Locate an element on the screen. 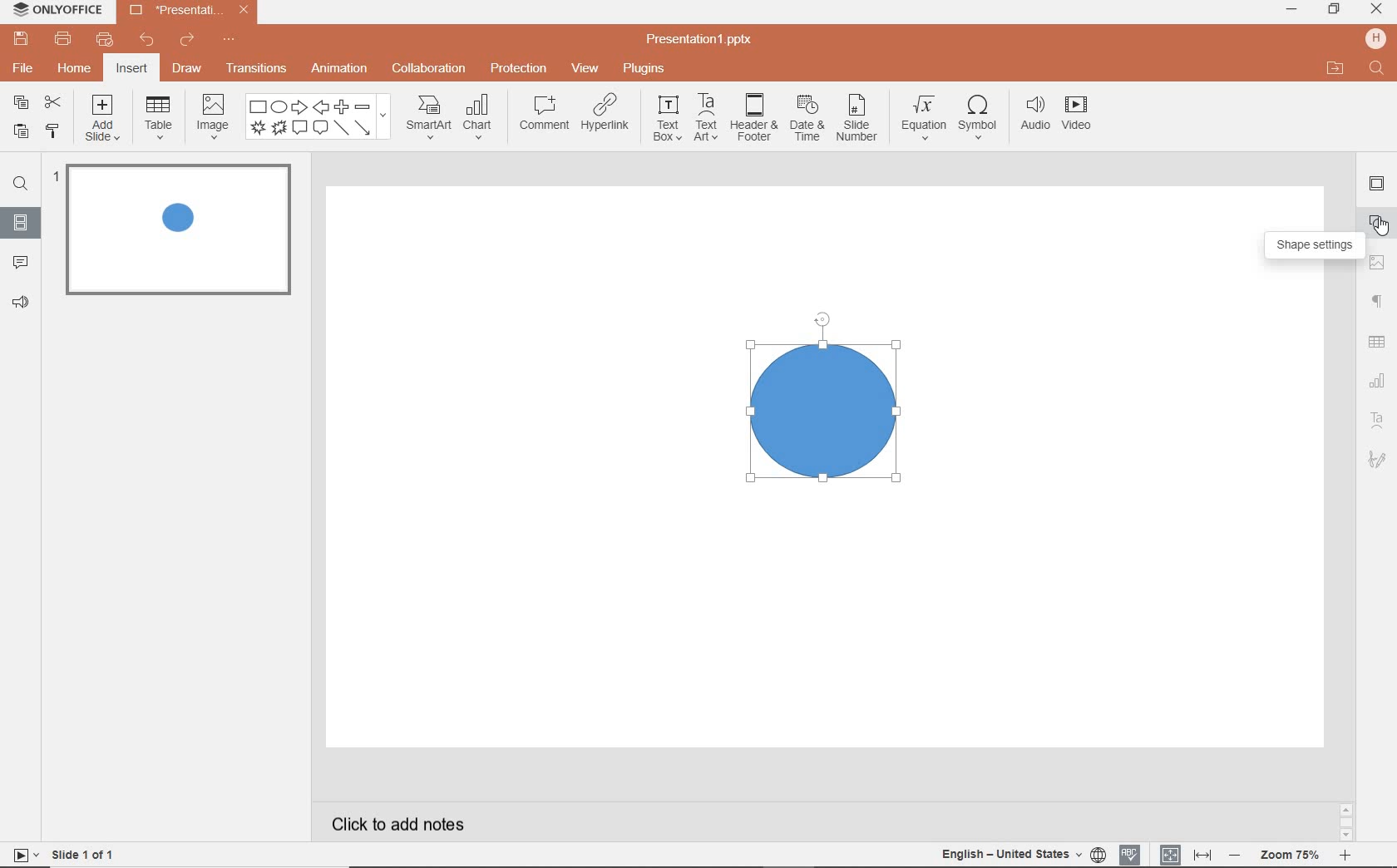 Image resolution: width=1397 pixels, height=868 pixels. click to add notes is located at coordinates (390, 823).